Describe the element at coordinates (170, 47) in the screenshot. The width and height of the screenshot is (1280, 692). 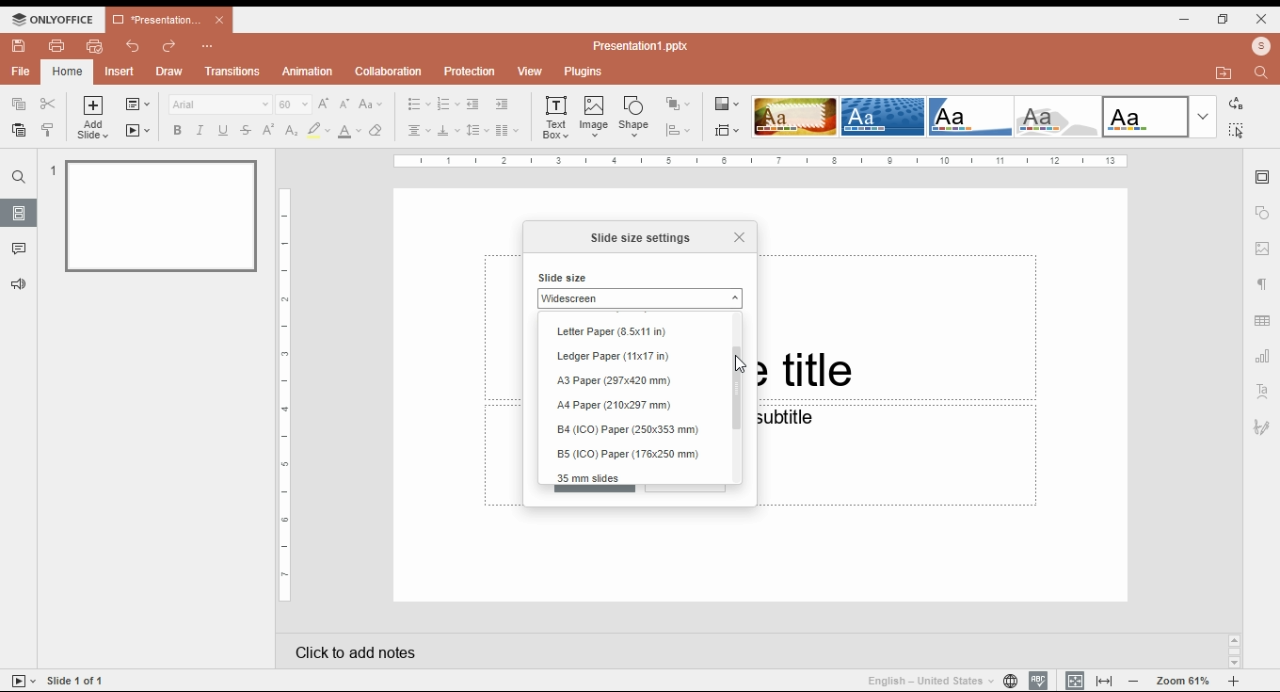
I see `redo` at that location.